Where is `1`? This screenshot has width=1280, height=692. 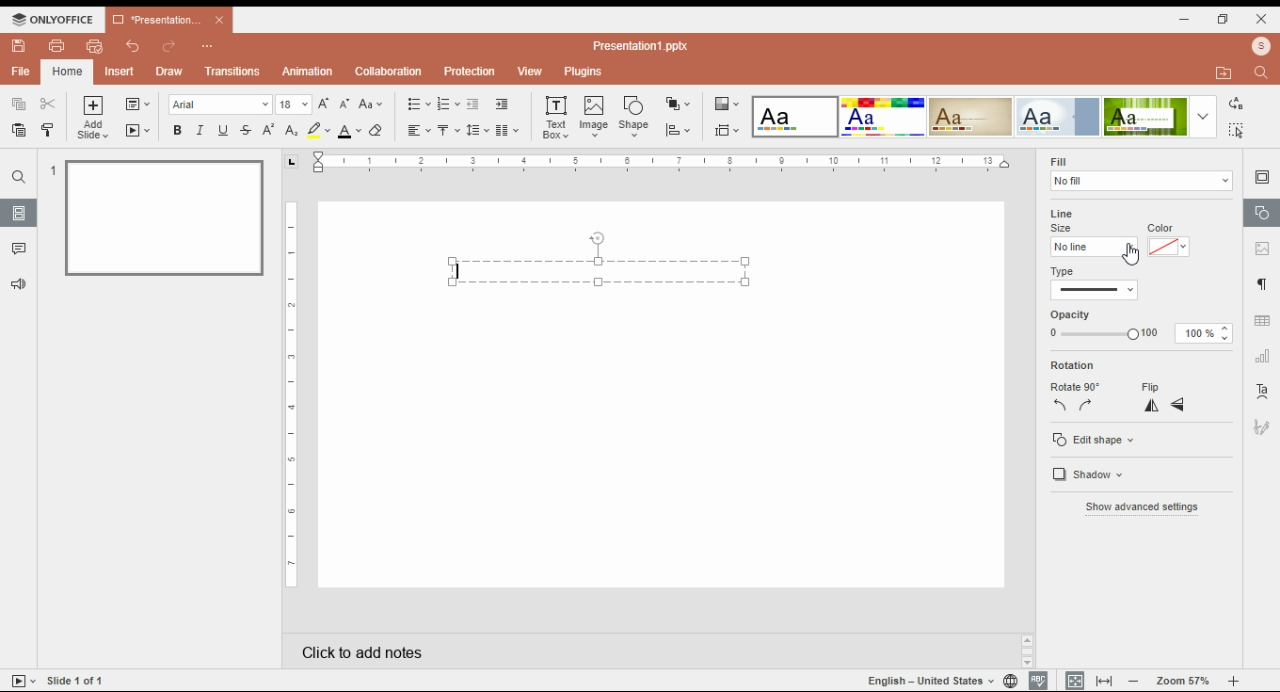 1 is located at coordinates (51, 170).